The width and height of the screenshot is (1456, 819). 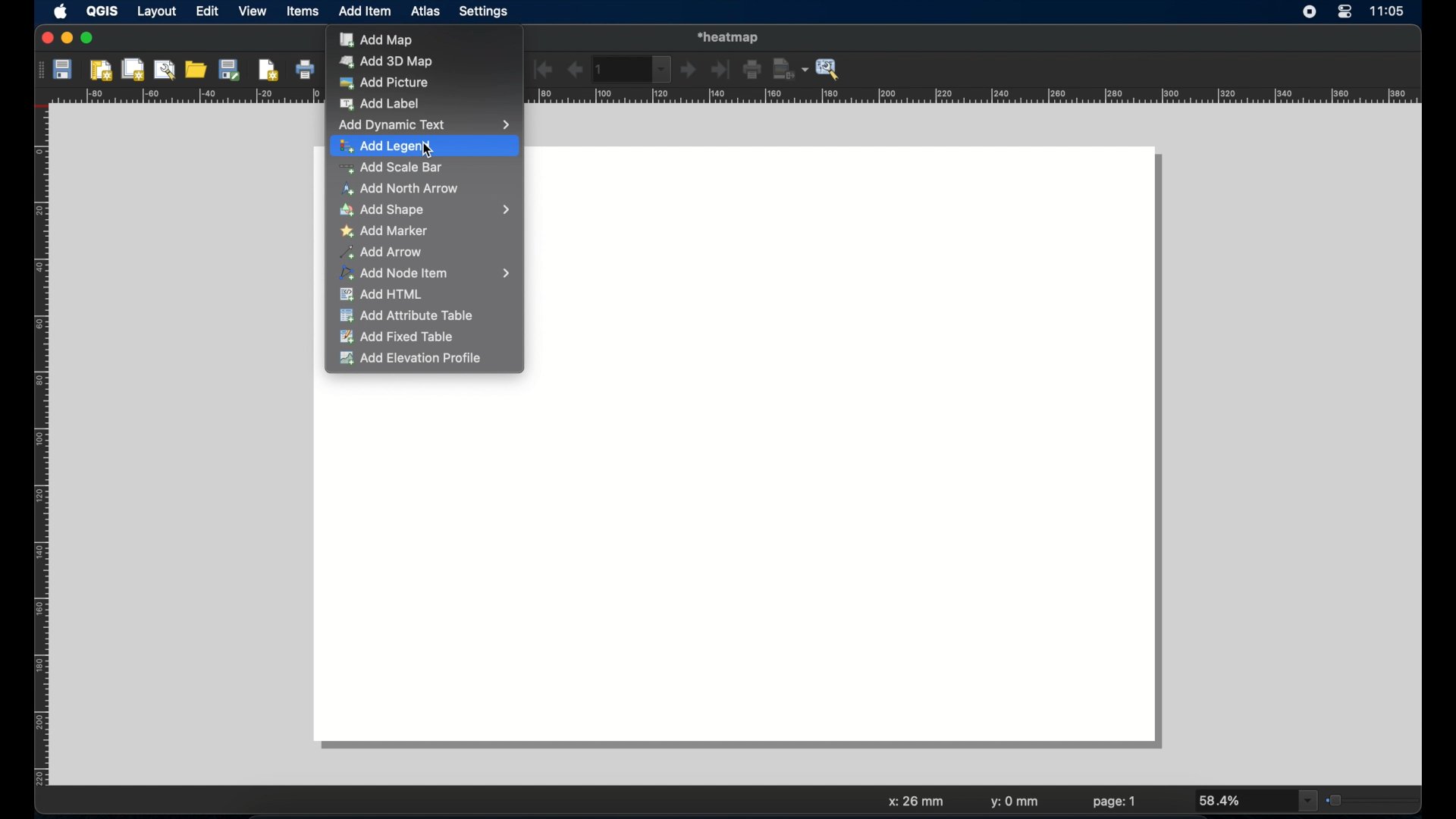 What do you see at coordinates (1345, 13) in the screenshot?
I see `control center` at bounding box center [1345, 13].